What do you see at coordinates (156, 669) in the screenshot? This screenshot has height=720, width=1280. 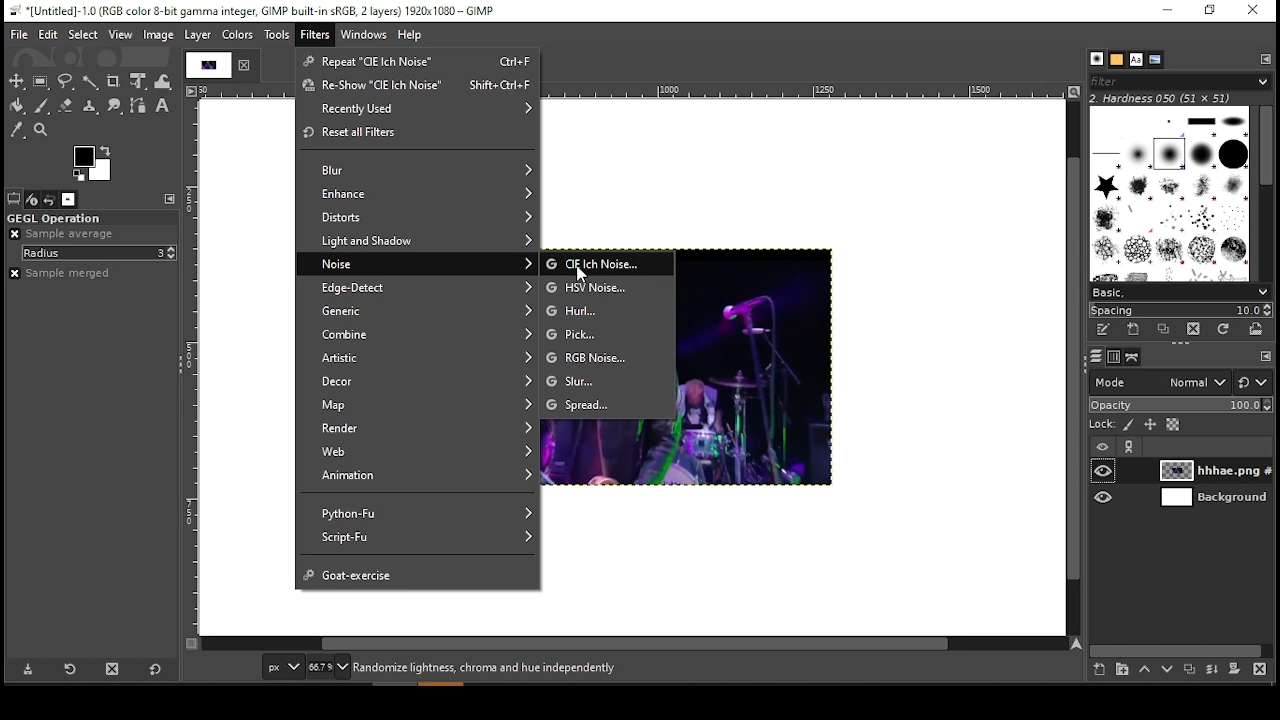 I see `restore to defaults` at bounding box center [156, 669].